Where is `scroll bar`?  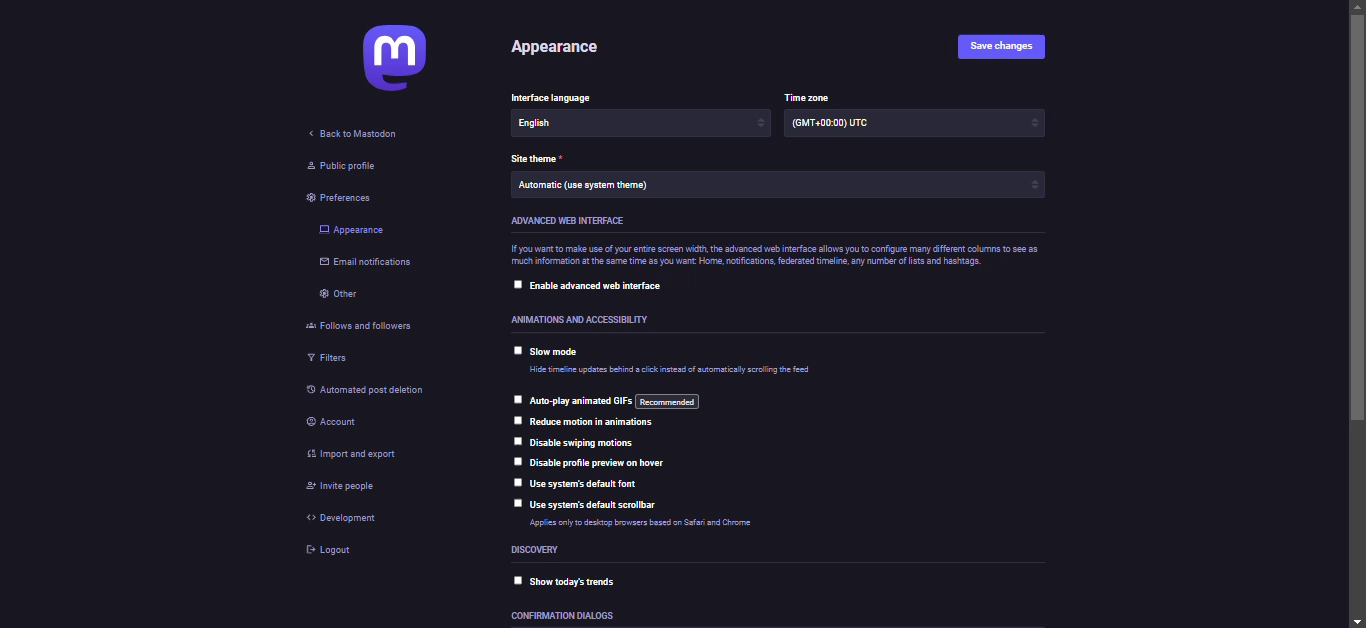 scroll bar is located at coordinates (1356, 313).